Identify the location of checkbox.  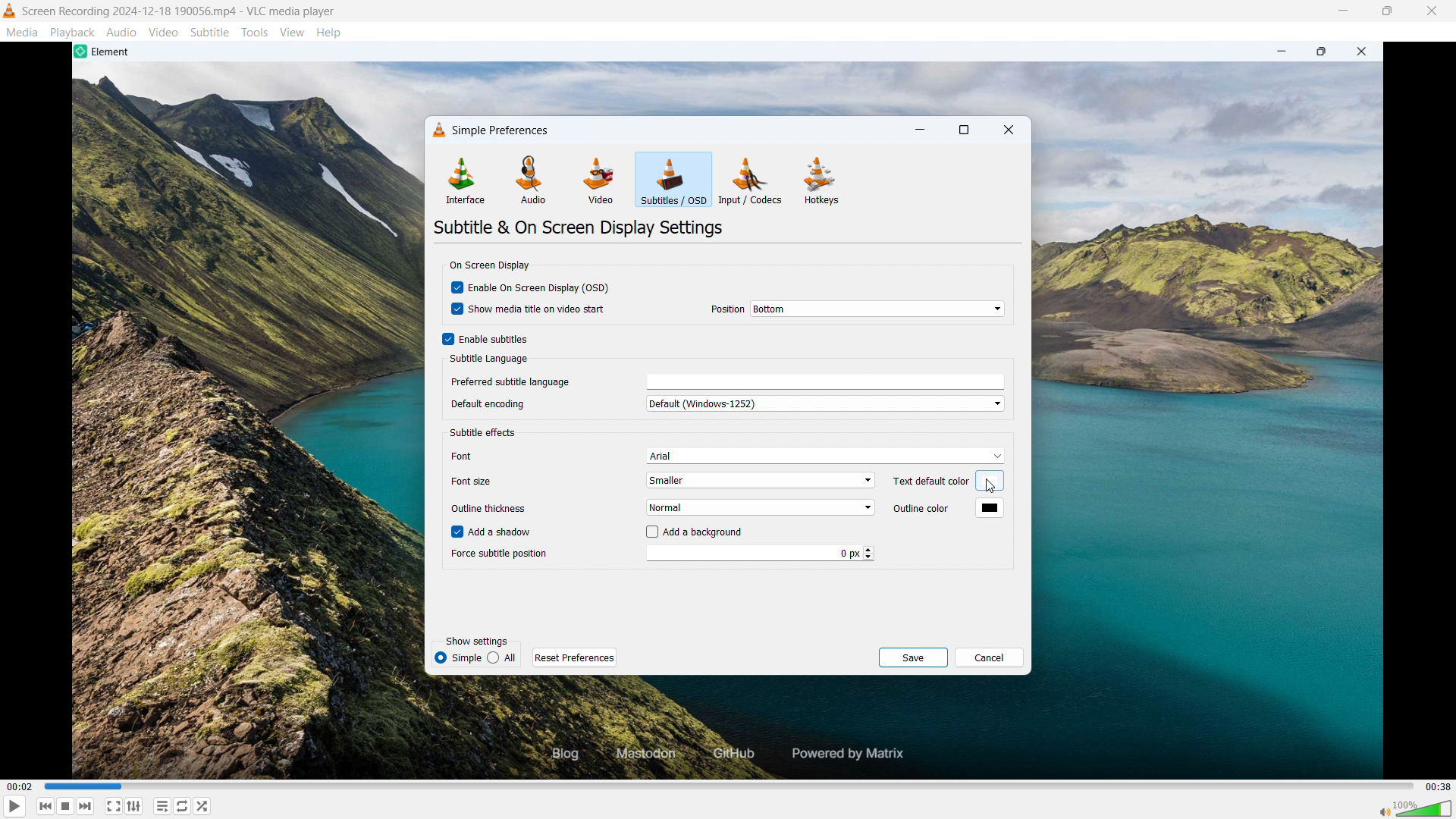
(646, 532).